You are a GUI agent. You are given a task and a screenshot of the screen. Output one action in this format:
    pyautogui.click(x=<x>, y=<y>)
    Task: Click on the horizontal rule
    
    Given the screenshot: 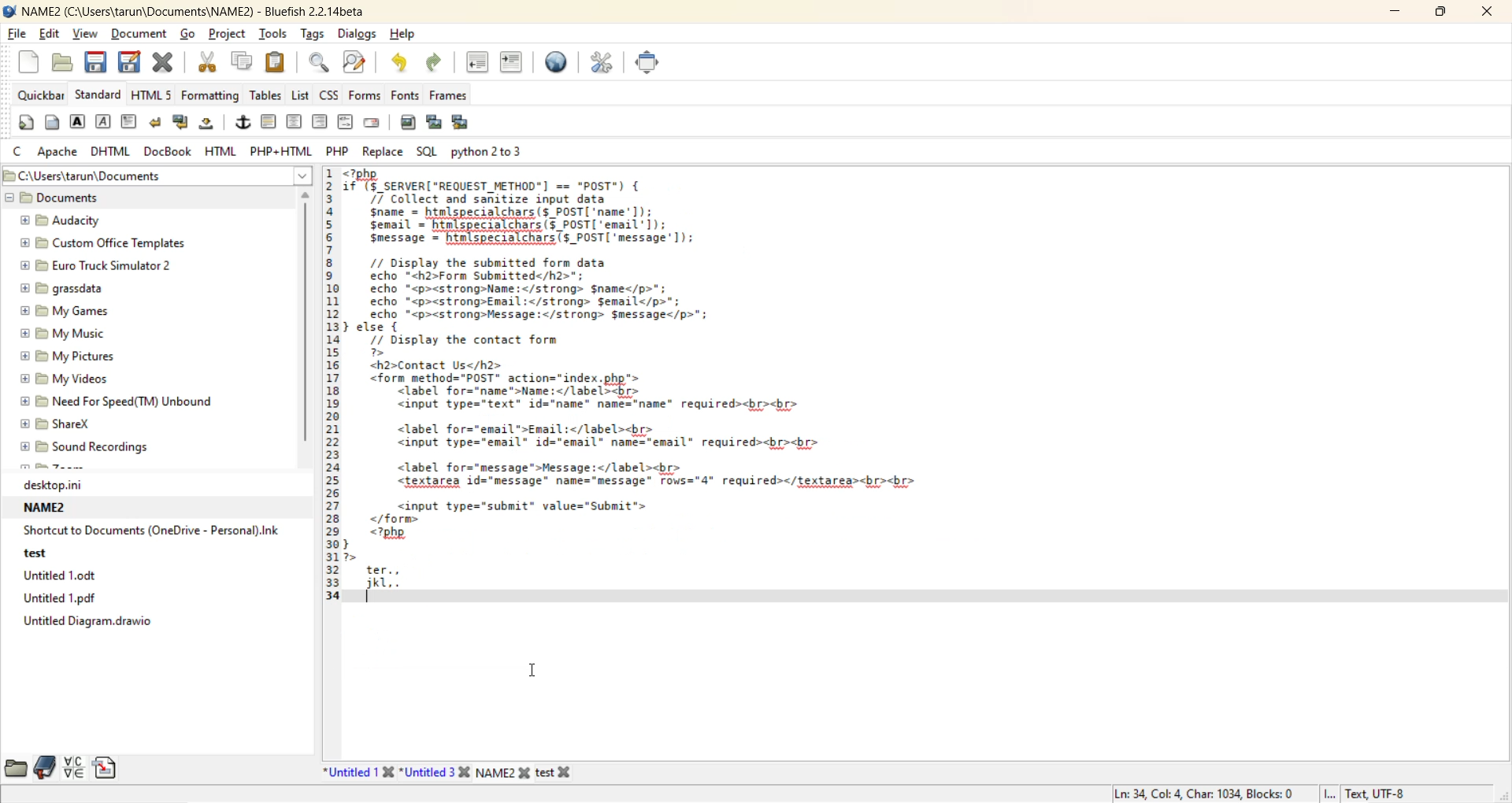 What is the action you would take?
    pyautogui.click(x=270, y=122)
    